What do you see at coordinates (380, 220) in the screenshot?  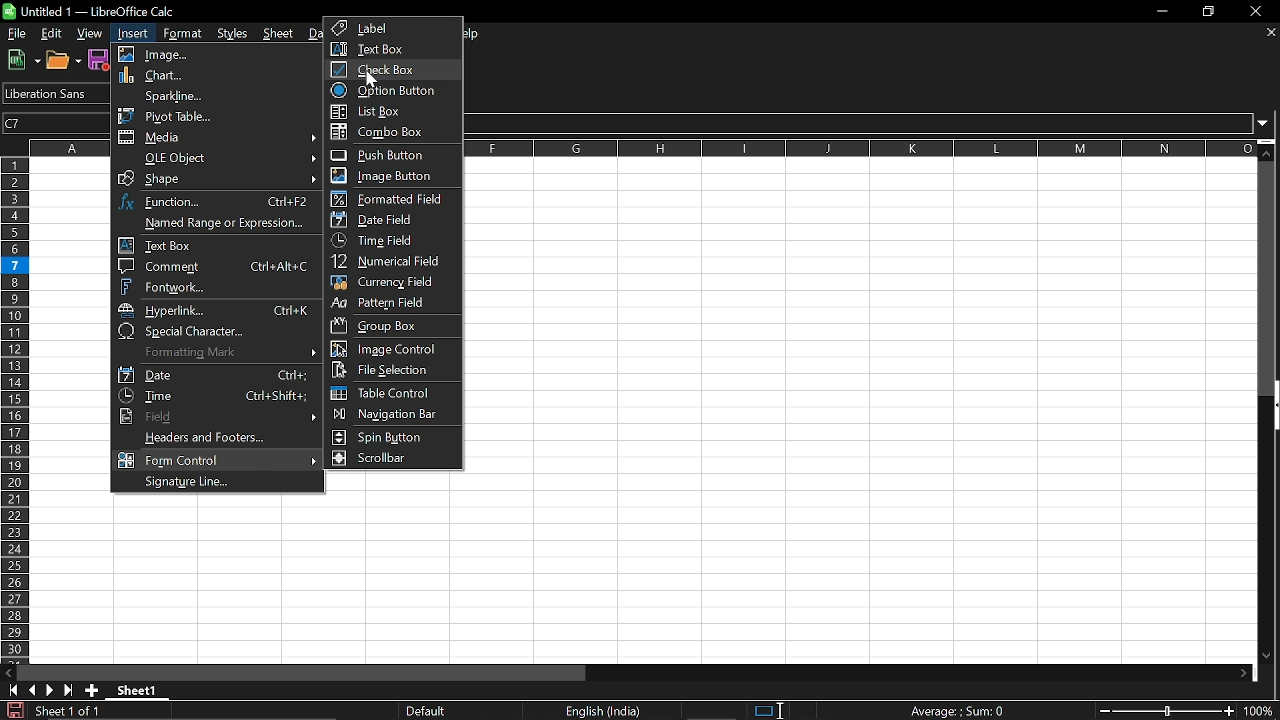 I see `date field` at bounding box center [380, 220].